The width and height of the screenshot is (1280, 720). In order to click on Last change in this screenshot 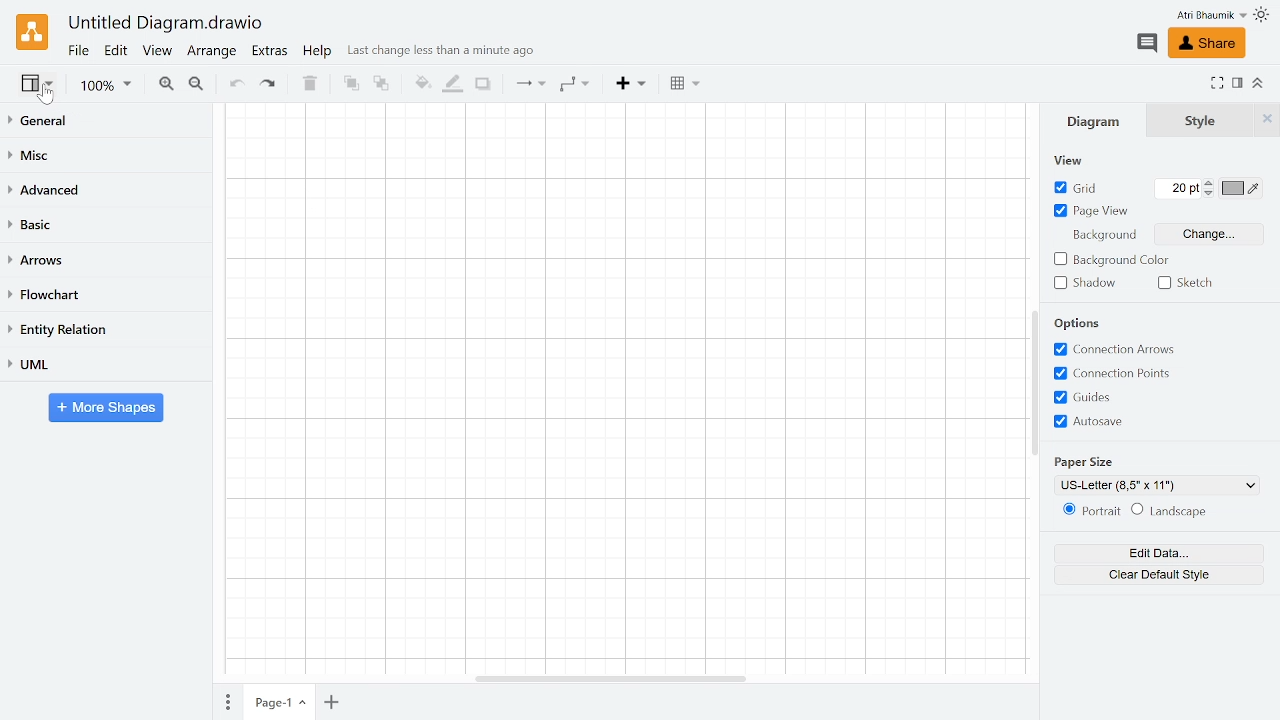, I will do `click(446, 53)`.